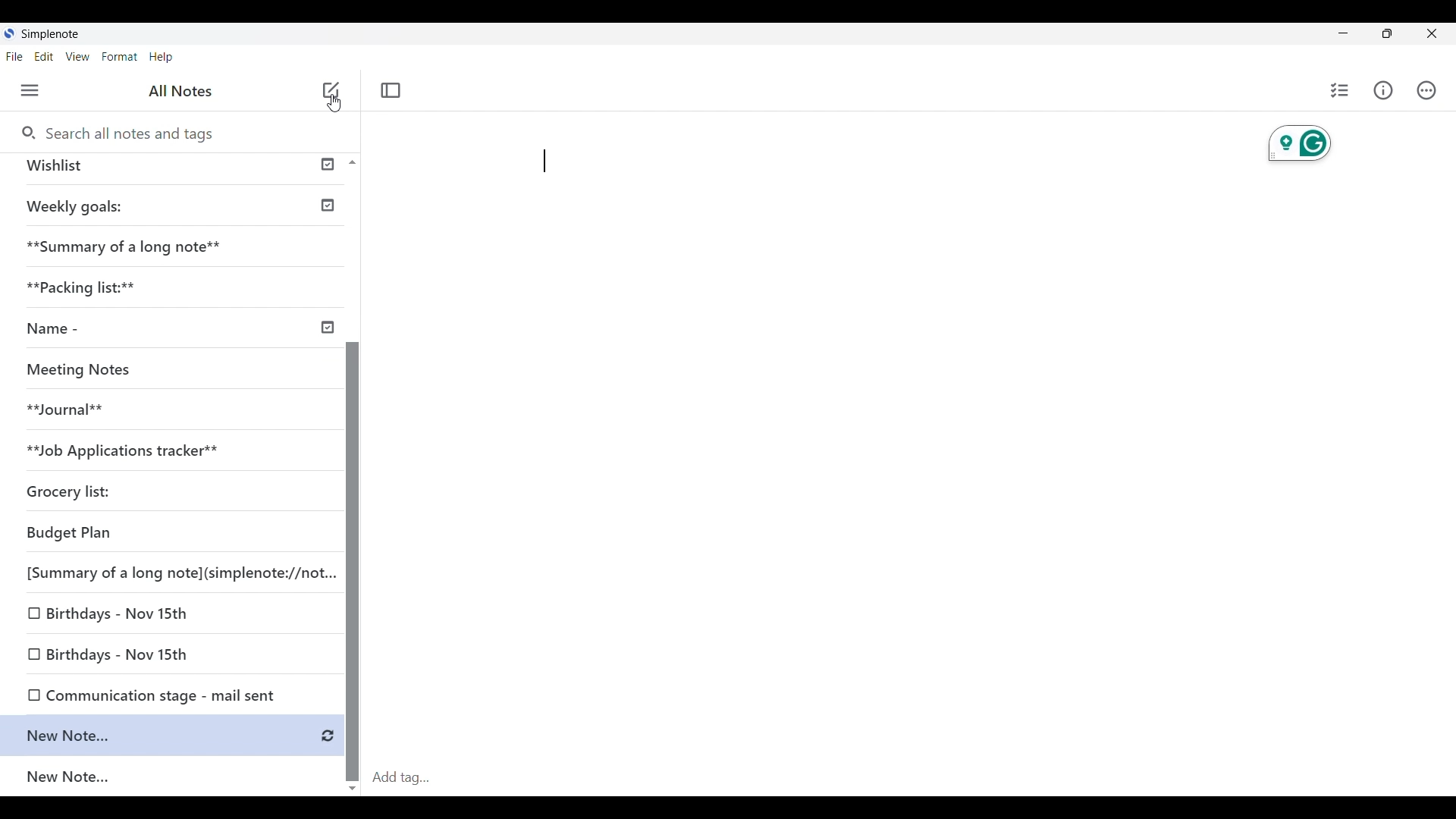  I want to click on Click to add note, so click(332, 89).